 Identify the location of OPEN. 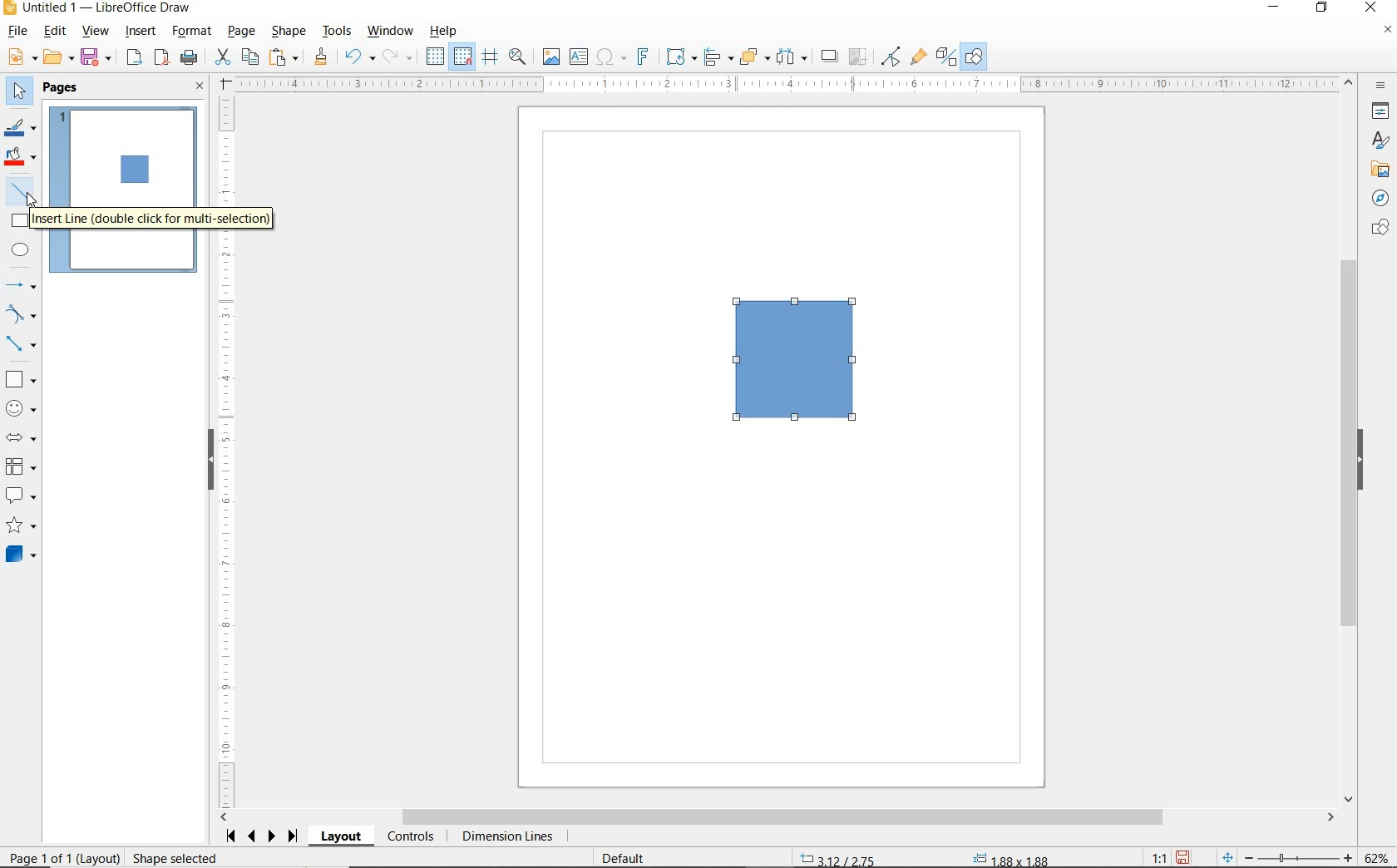
(59, 57).